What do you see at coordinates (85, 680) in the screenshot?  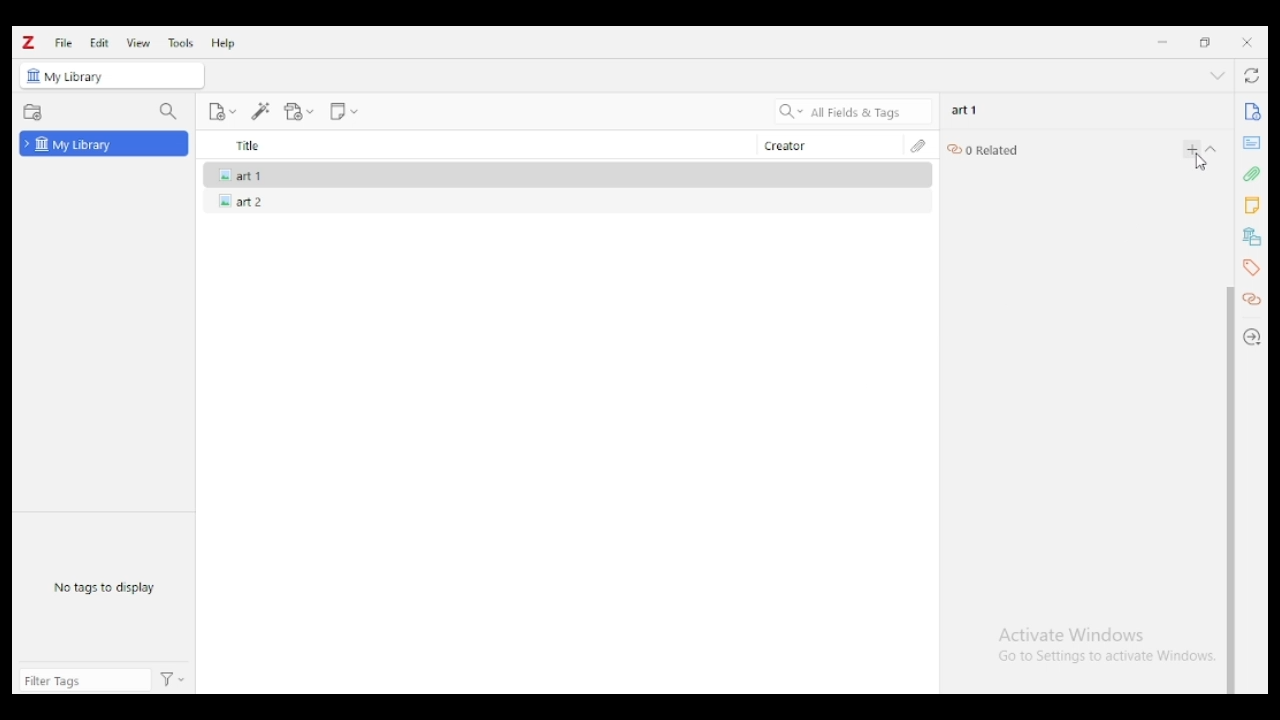 I see `filter tags` at bounding box center [85, 680].